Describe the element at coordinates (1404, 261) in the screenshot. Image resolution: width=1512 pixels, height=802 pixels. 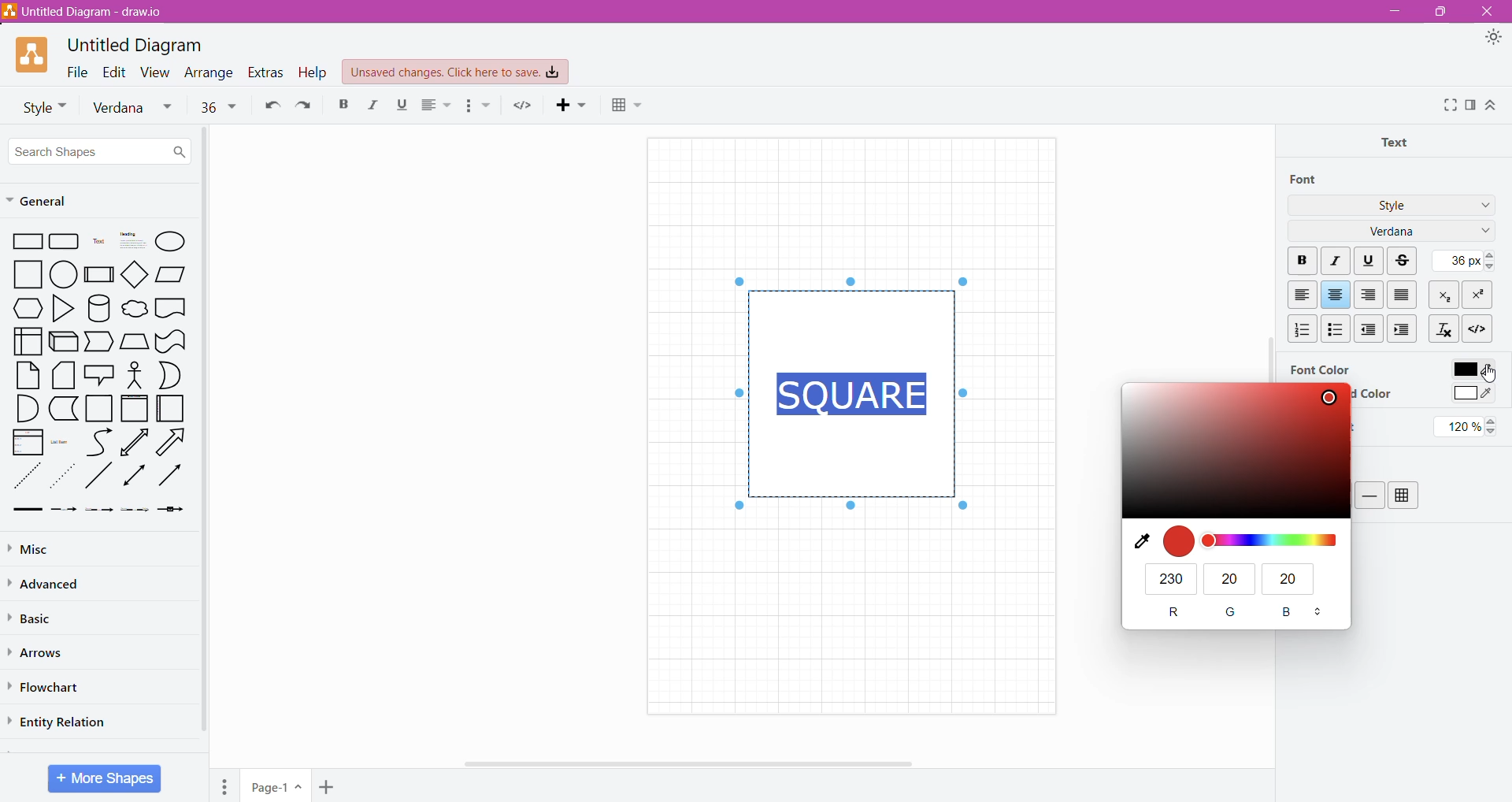
I see `Strikethrough` at that location.